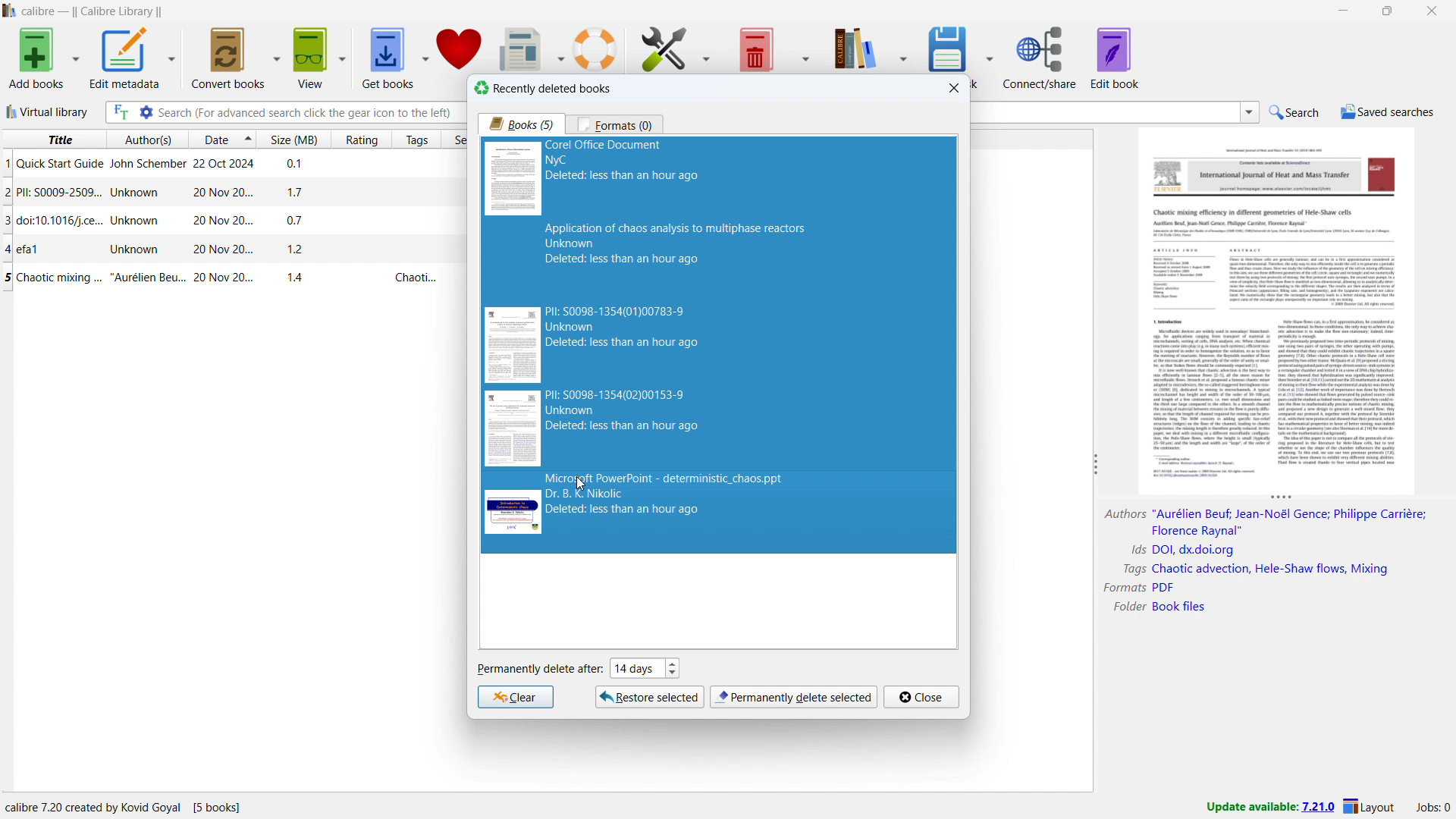 Image resolution: width=1456 pixels, height=819 pixels. Describe the element at coordinates (1371, 807) in the screenshot. I see `layout` at that location.